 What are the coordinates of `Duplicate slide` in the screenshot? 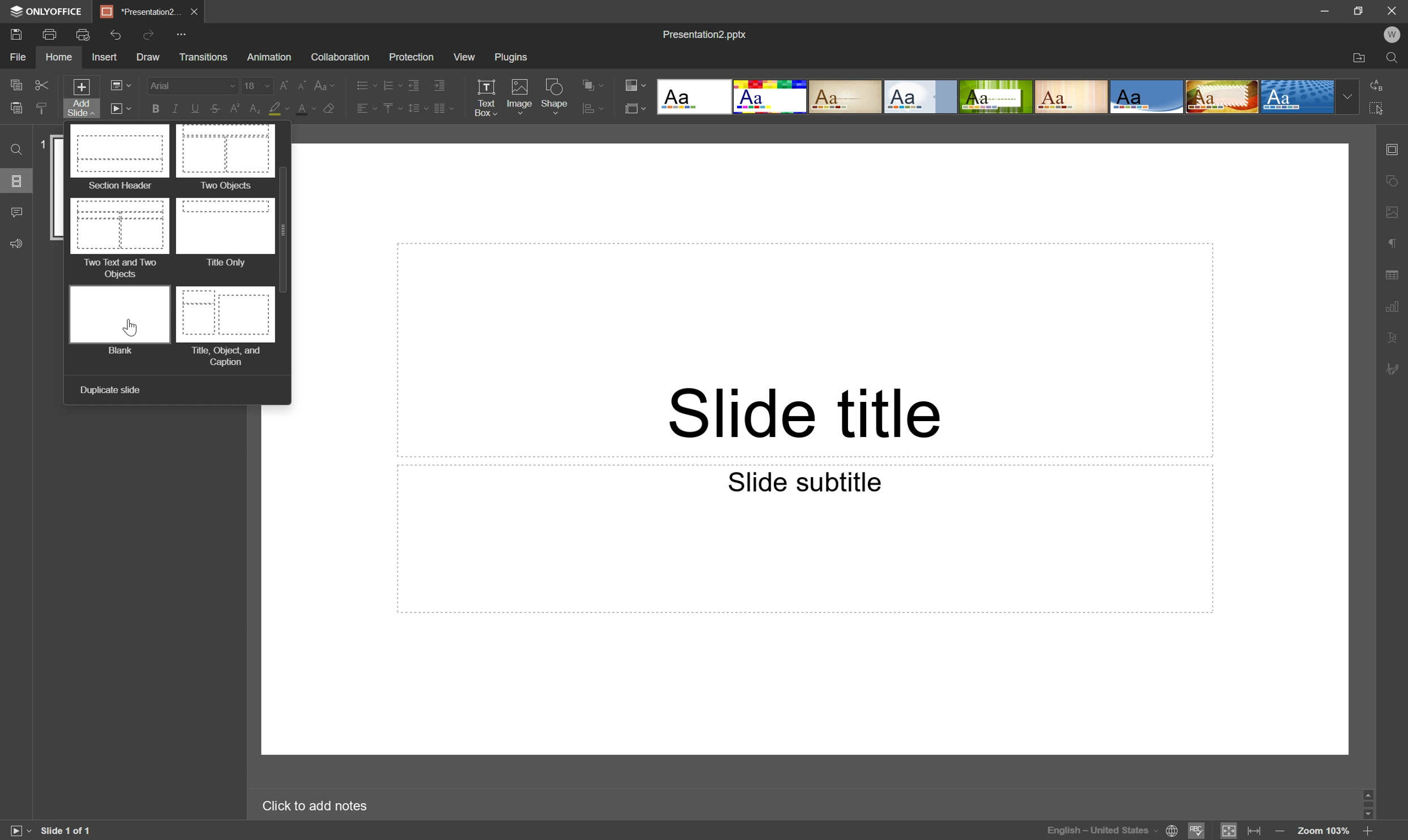 It's located at (110, 391).